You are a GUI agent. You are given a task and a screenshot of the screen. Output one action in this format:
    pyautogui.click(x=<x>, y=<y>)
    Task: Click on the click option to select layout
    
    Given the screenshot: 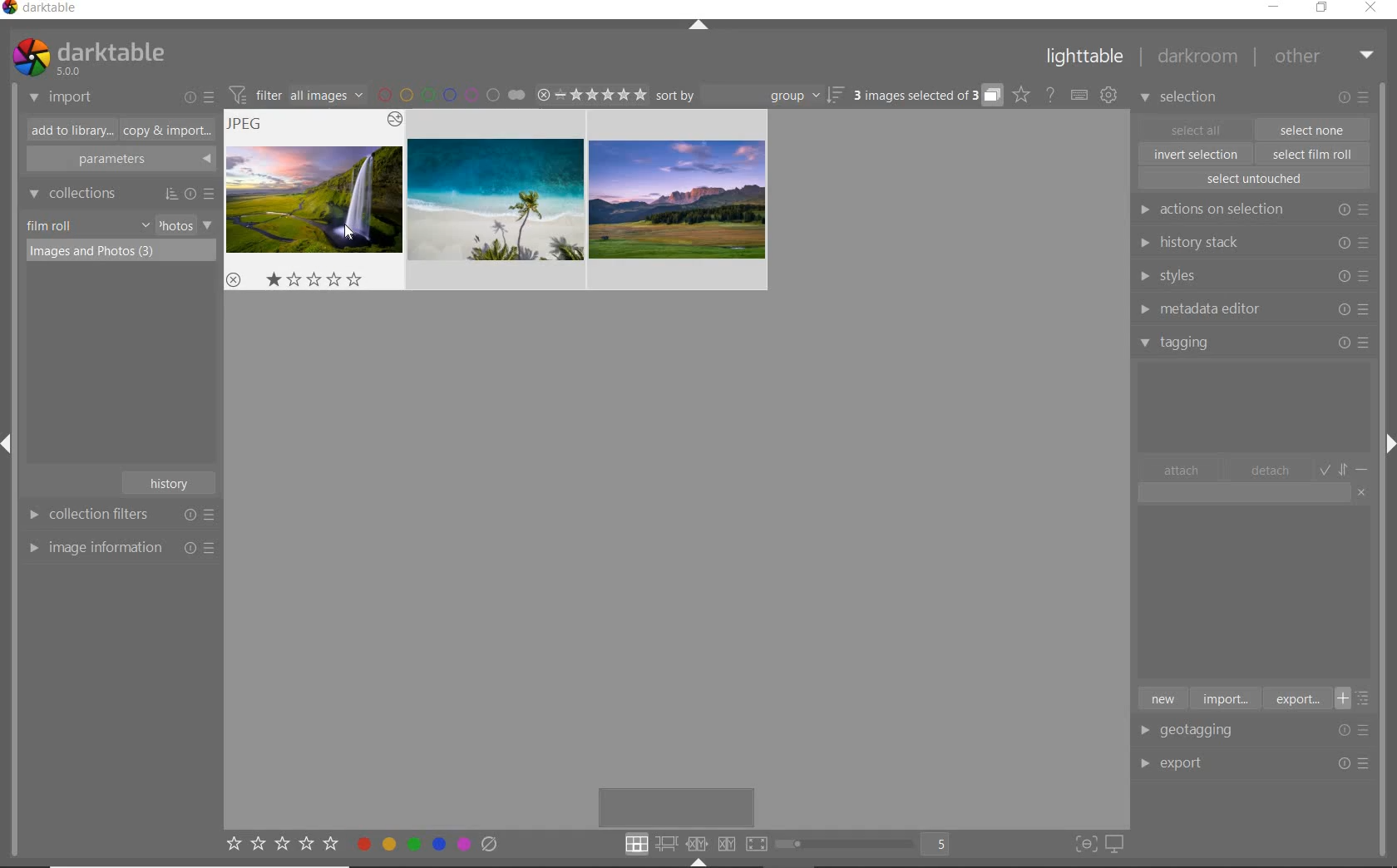 What is the action you would take?
    pyautogui.click(x=693, y=844)
    